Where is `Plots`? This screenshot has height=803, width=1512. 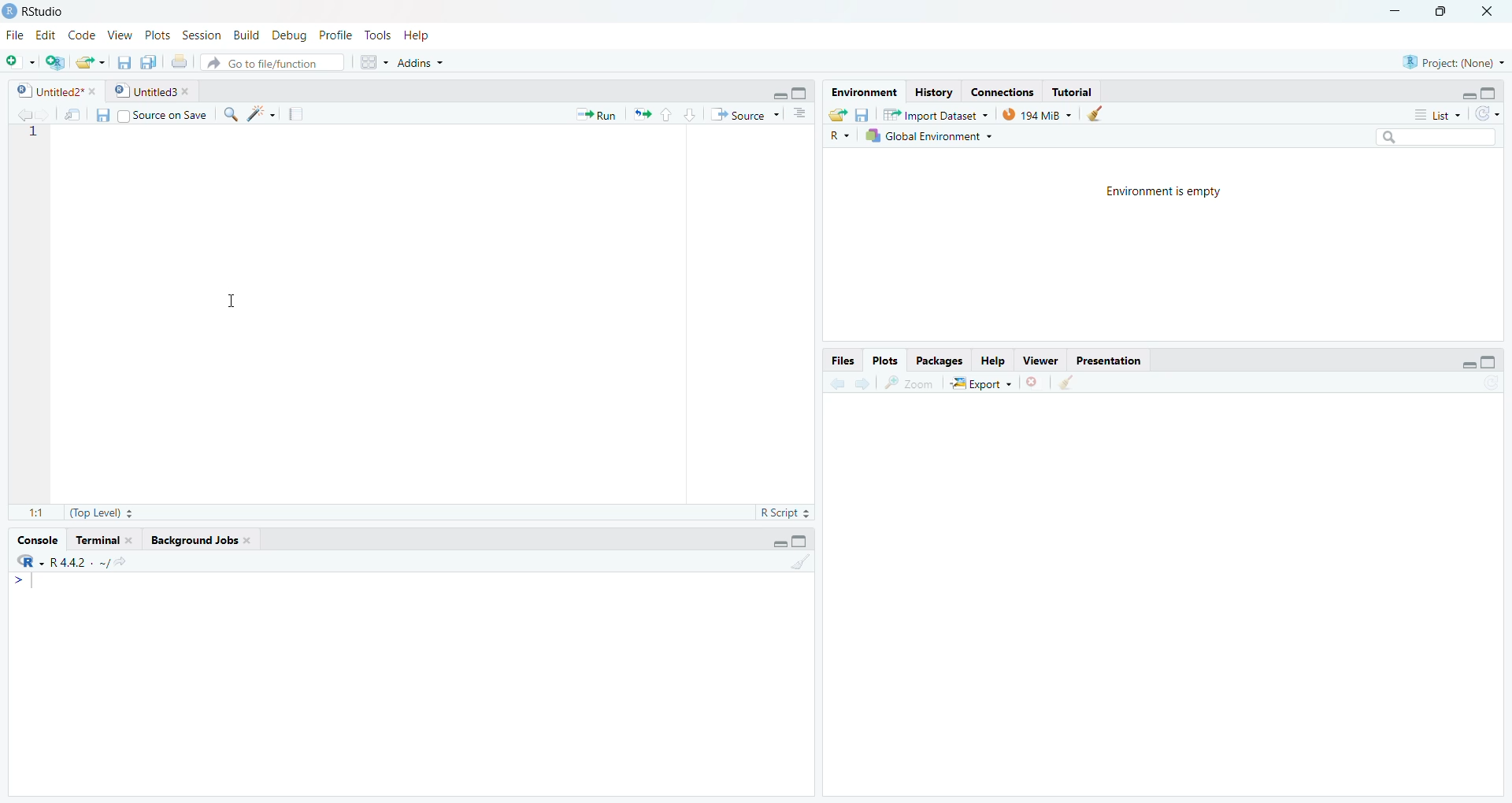
Plots is located at coordinates (888, 361).